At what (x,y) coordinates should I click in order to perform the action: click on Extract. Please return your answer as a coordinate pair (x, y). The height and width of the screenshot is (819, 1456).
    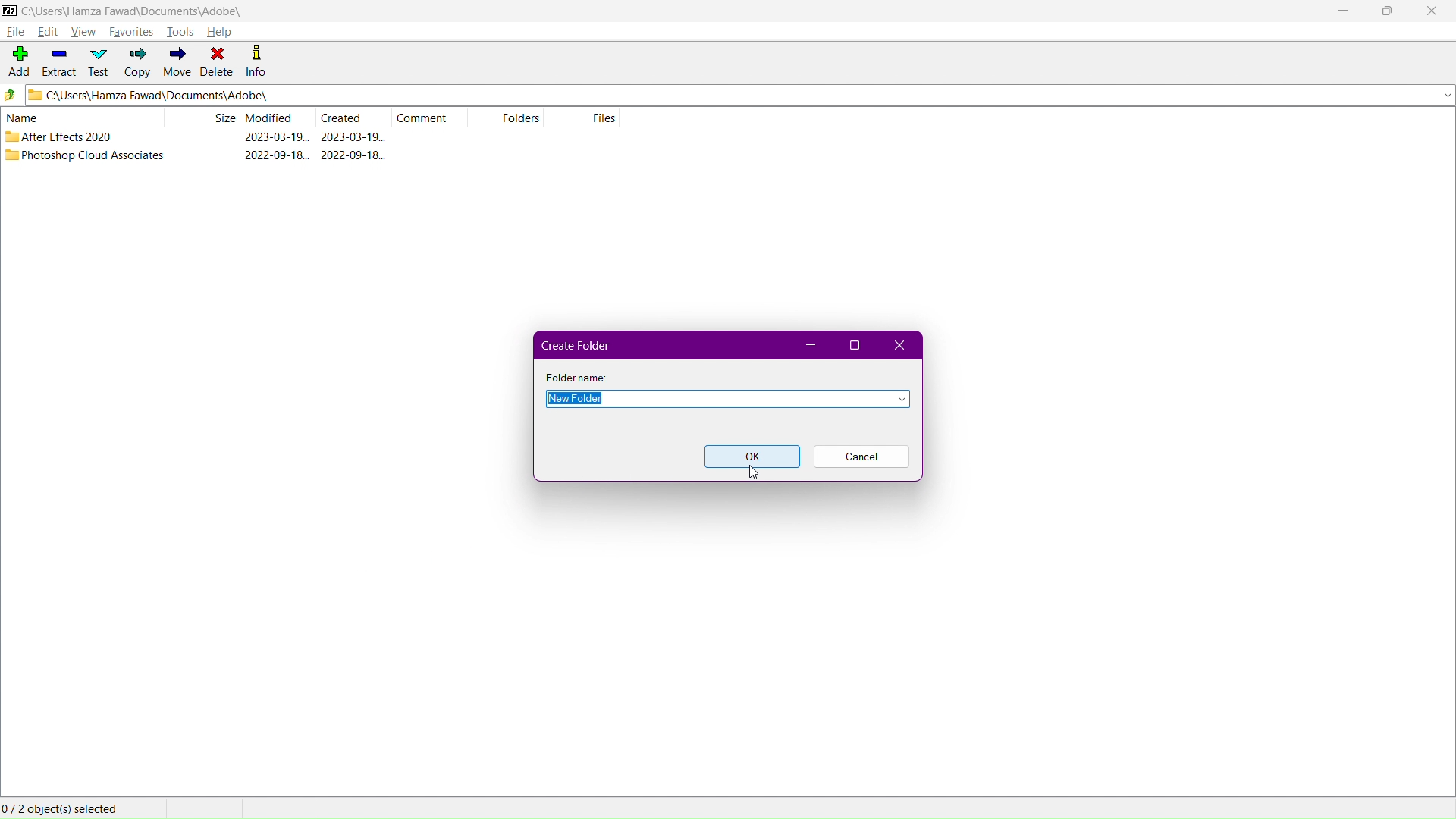
    Looking at the image, I should click on (58, 63).